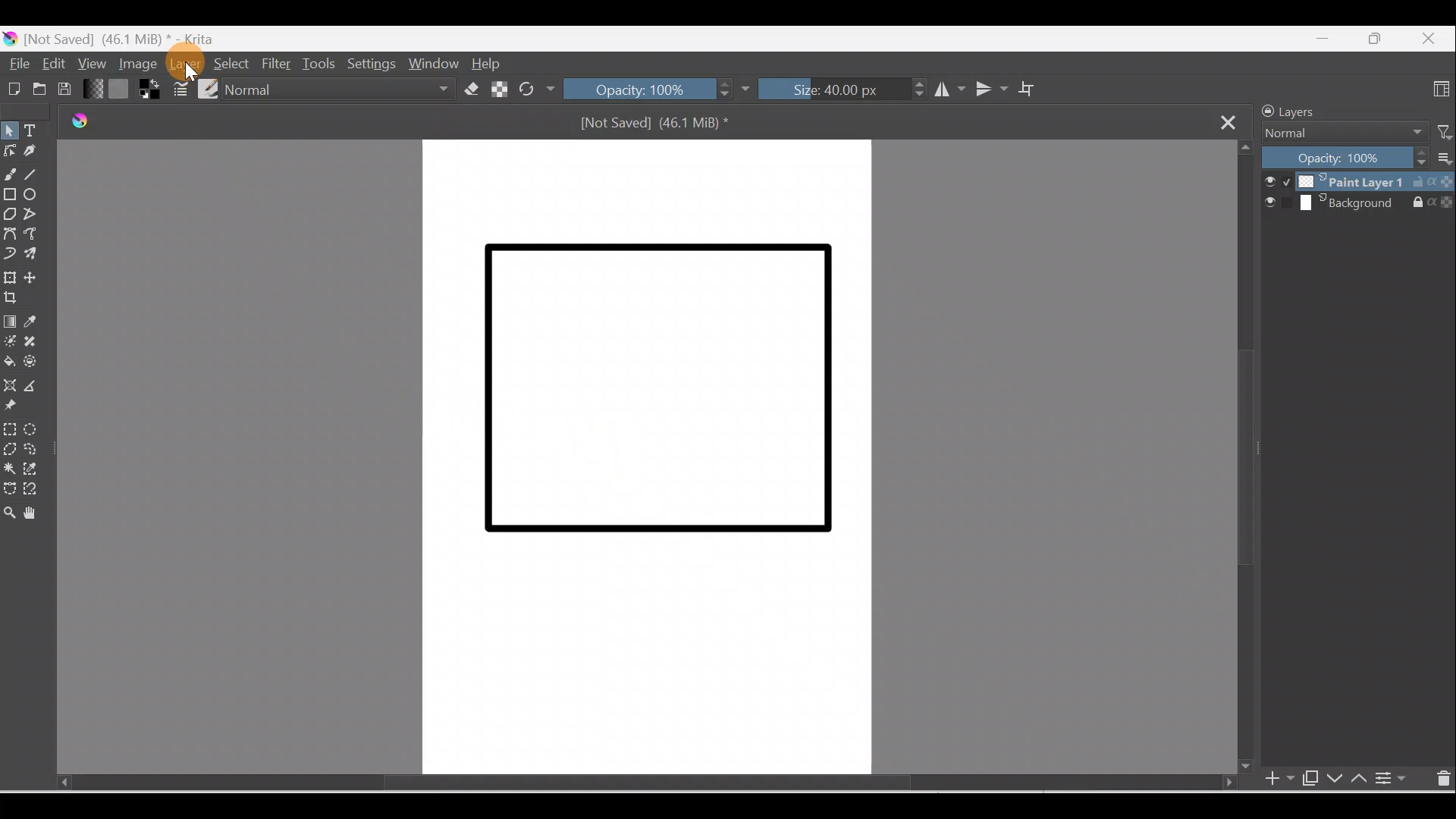 The image size is (1456, 819). Describe the element at coordinates (497, 88) in the screenshot. I see `Preserve Alpha` at that location.